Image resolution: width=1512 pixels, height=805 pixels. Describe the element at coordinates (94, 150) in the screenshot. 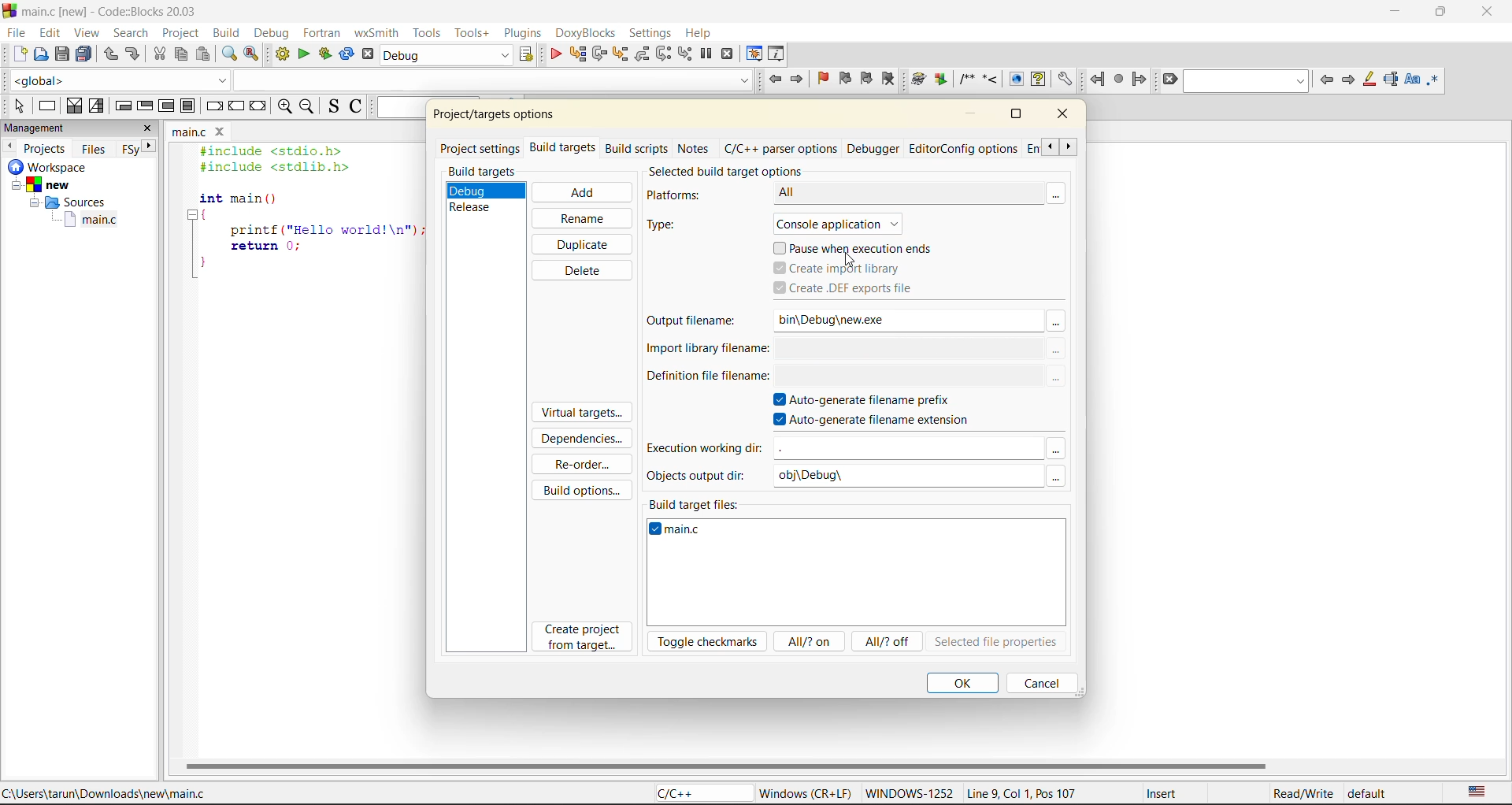

I see `files` at that location.